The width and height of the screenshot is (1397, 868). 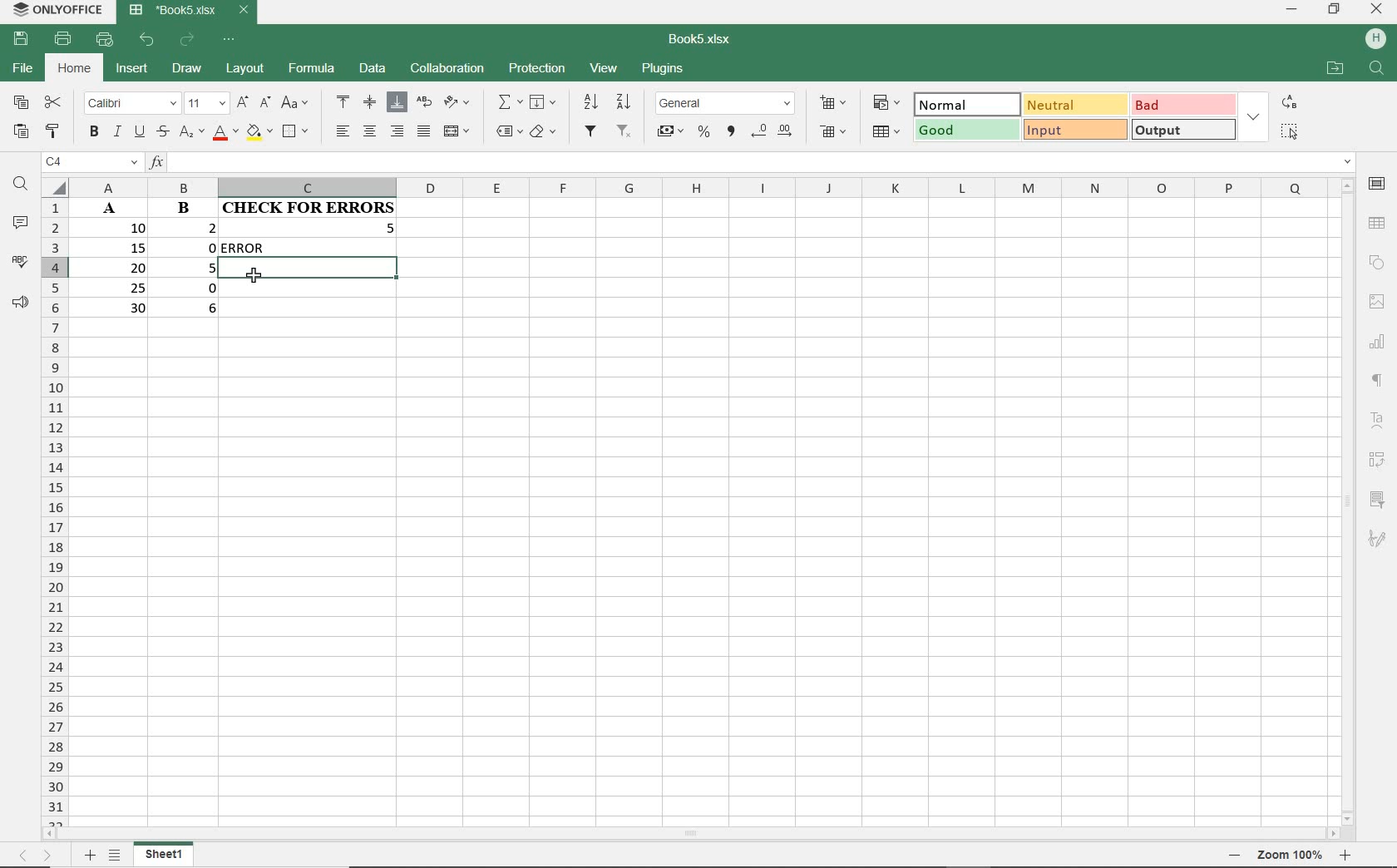 What do you see at coordinates (147, 40) in the screenshot?
I see `UNDO` at bounding box center [147, 40].